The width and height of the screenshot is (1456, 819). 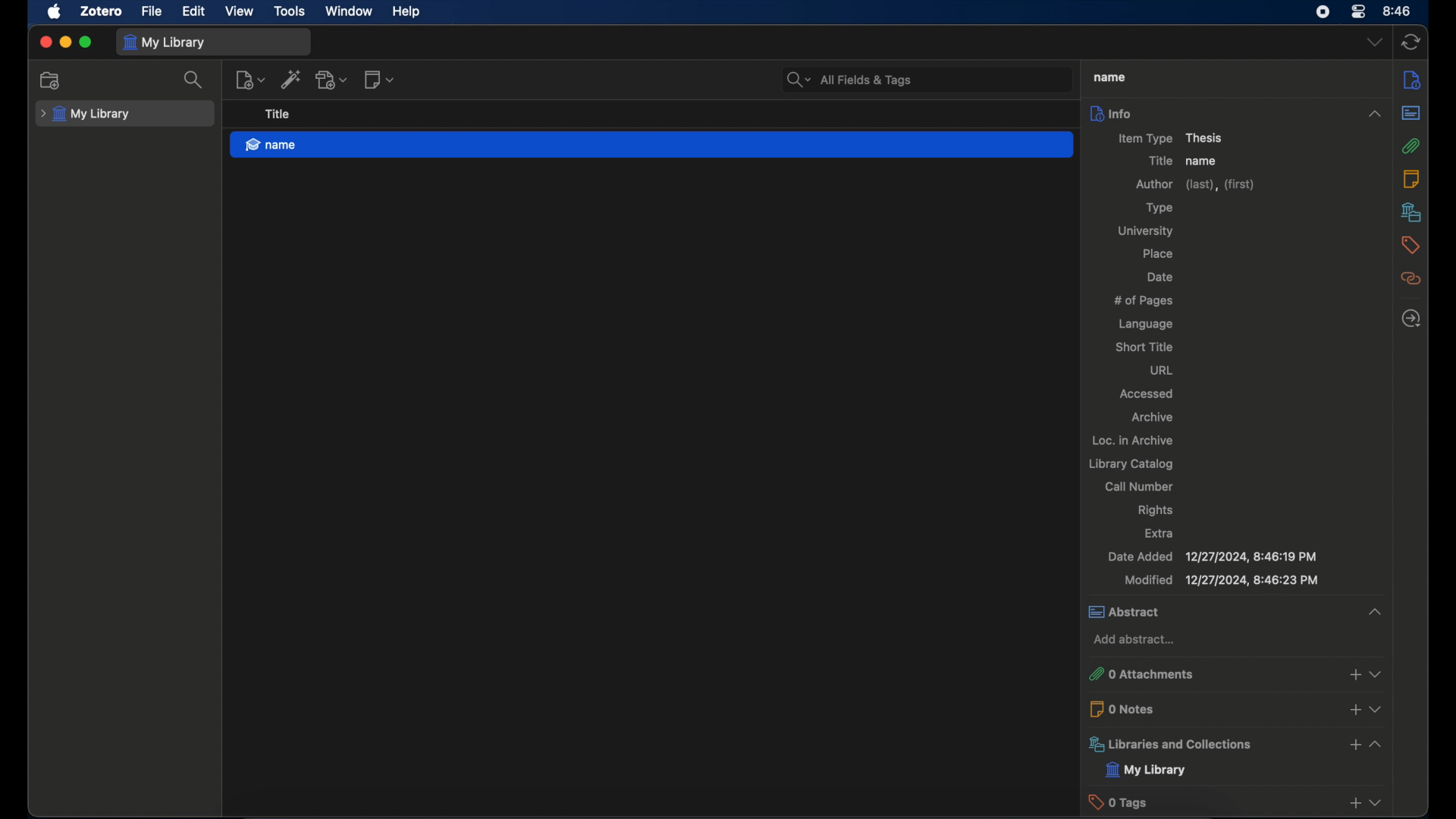 I want to click on search dropdown, so click(x=799, y=80).